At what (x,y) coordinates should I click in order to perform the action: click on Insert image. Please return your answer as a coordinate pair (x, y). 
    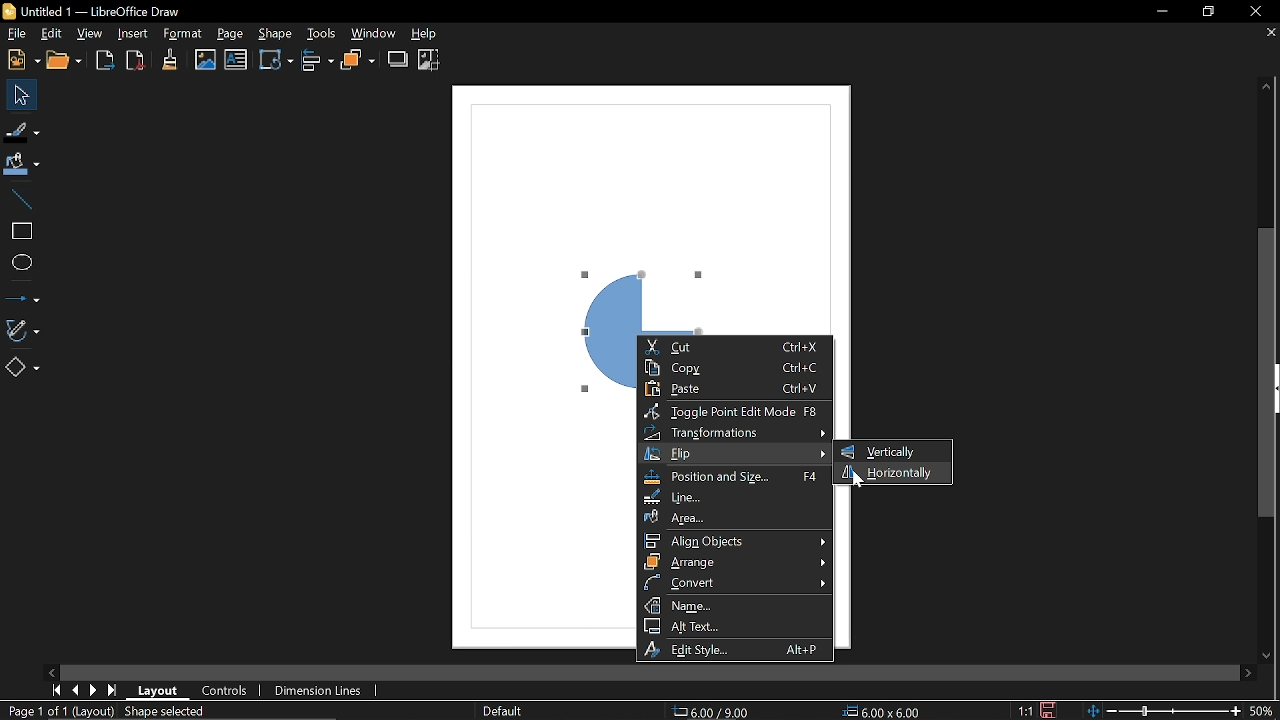
    Looking at the image, I should click on (205, 60).